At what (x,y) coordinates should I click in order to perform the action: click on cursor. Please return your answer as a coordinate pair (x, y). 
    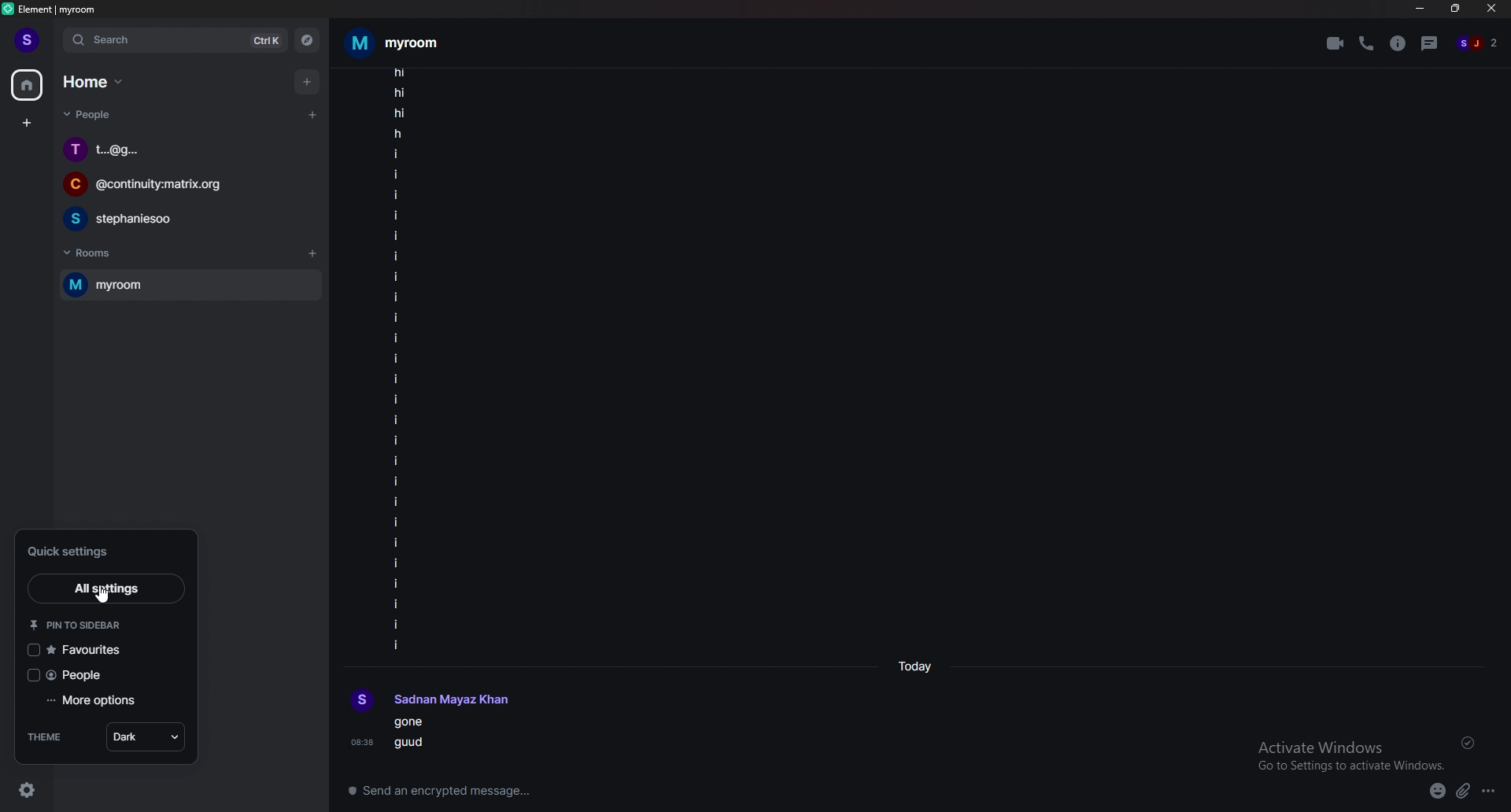
    Looking at the image, I should click on (105, 595).